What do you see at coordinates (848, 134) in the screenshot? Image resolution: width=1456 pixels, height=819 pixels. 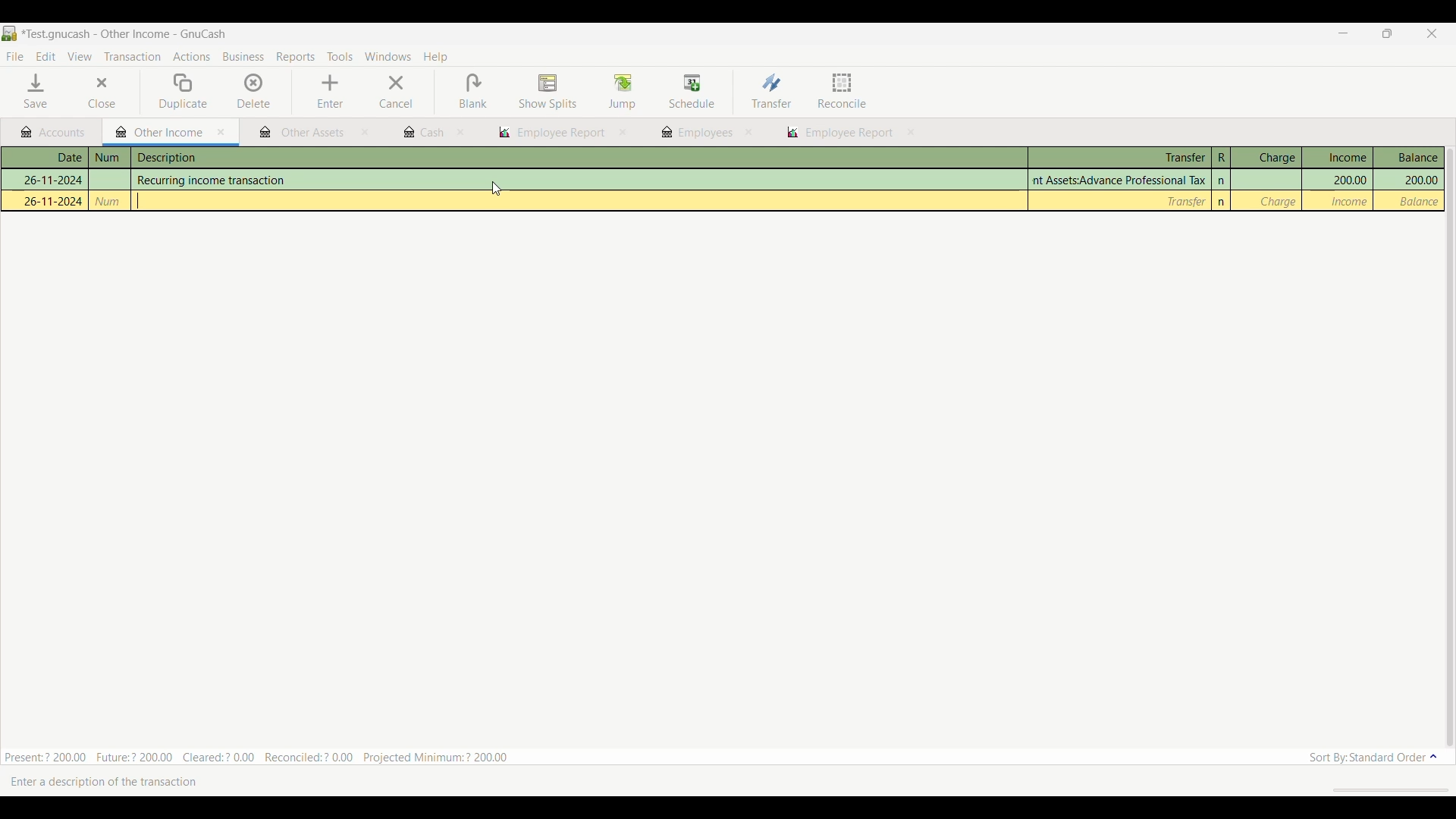 I see `employee report` at bounding box center [848, 134].